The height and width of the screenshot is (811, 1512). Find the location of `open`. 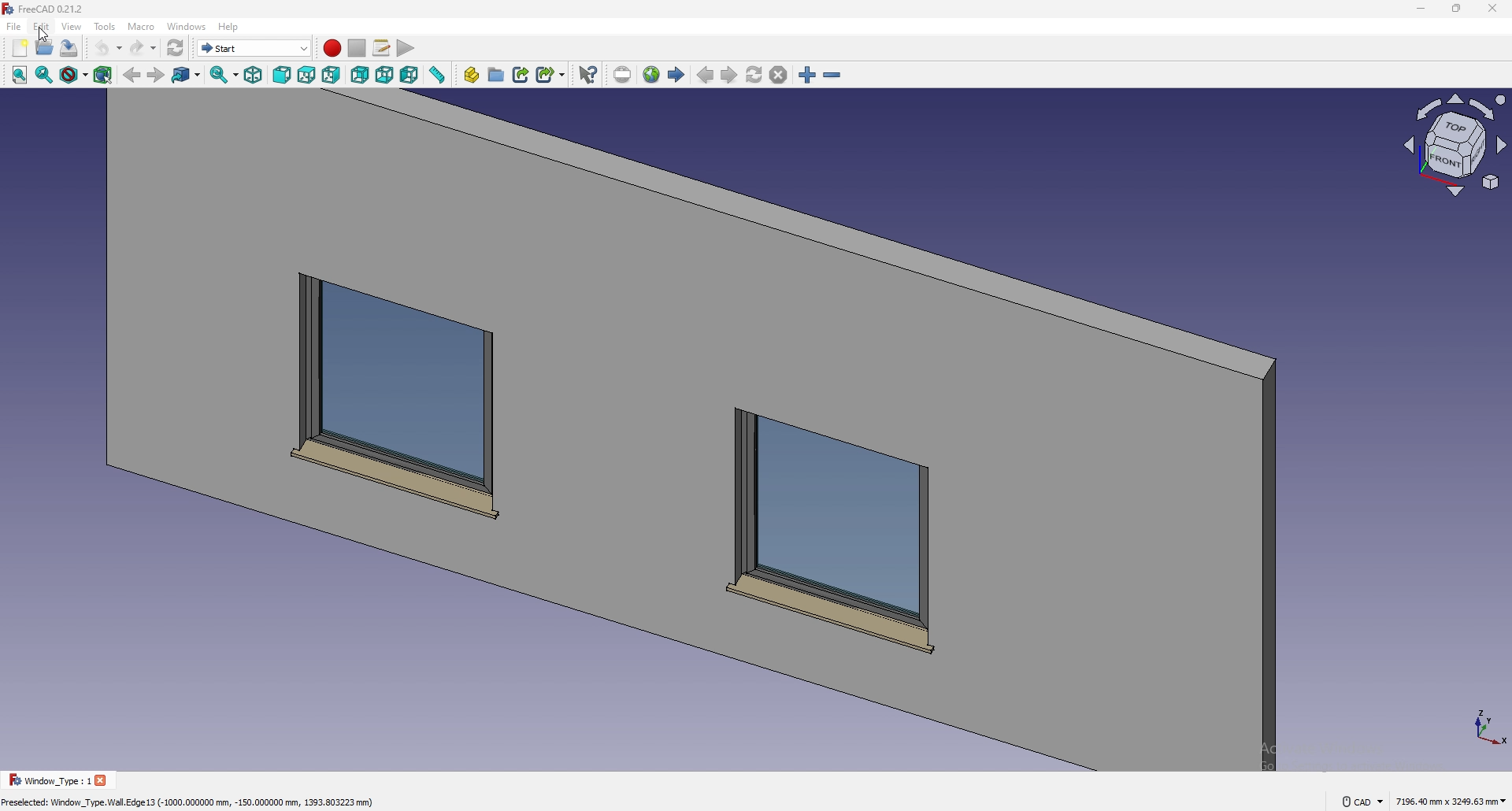

open is located at coordinates (46, 47).